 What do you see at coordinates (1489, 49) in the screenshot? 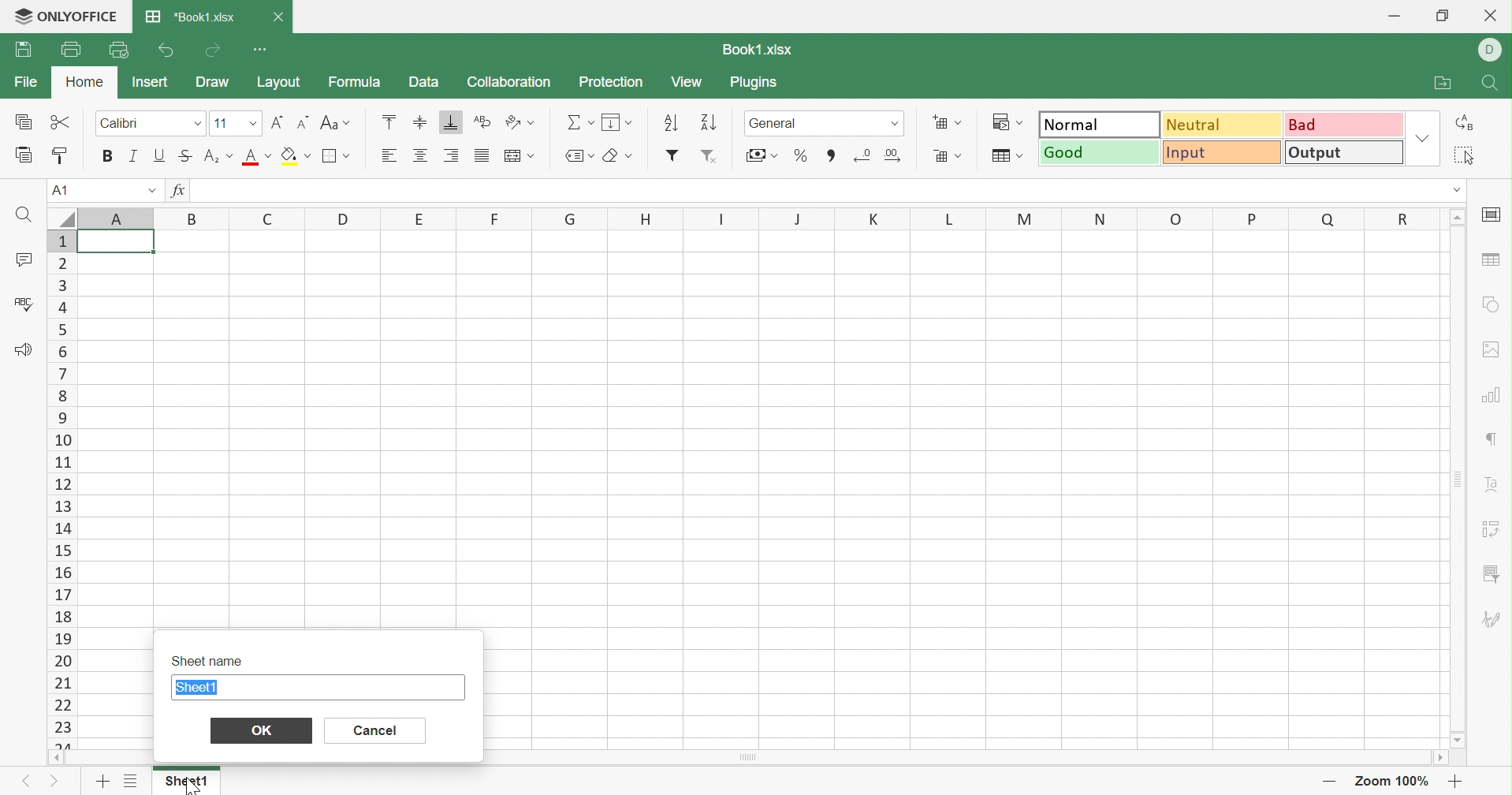
I see `D` at bounding box center [1489, 49].